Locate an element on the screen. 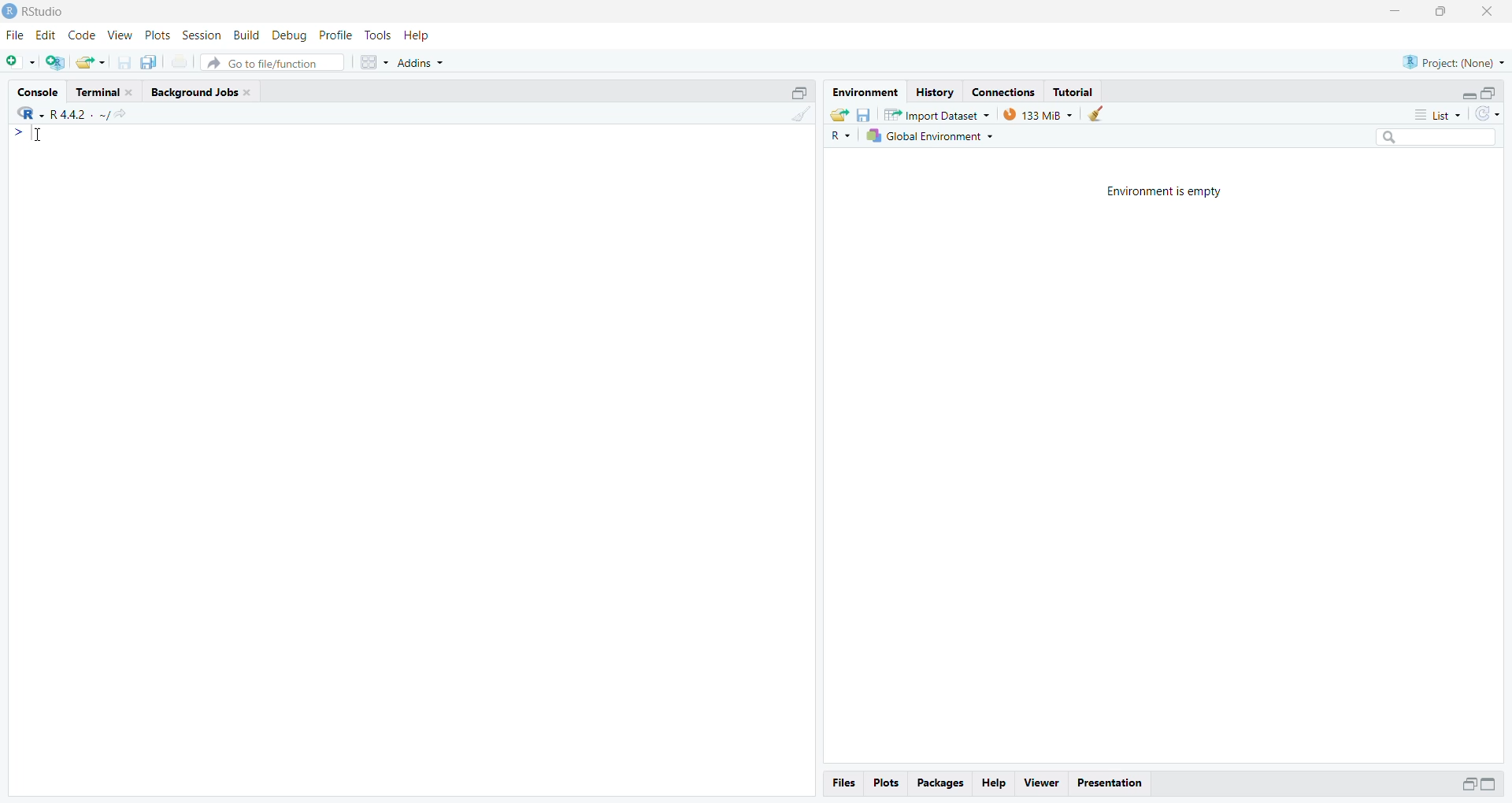 The image size is (1512, 803). Rstudio is located at coordinates (30, 9).